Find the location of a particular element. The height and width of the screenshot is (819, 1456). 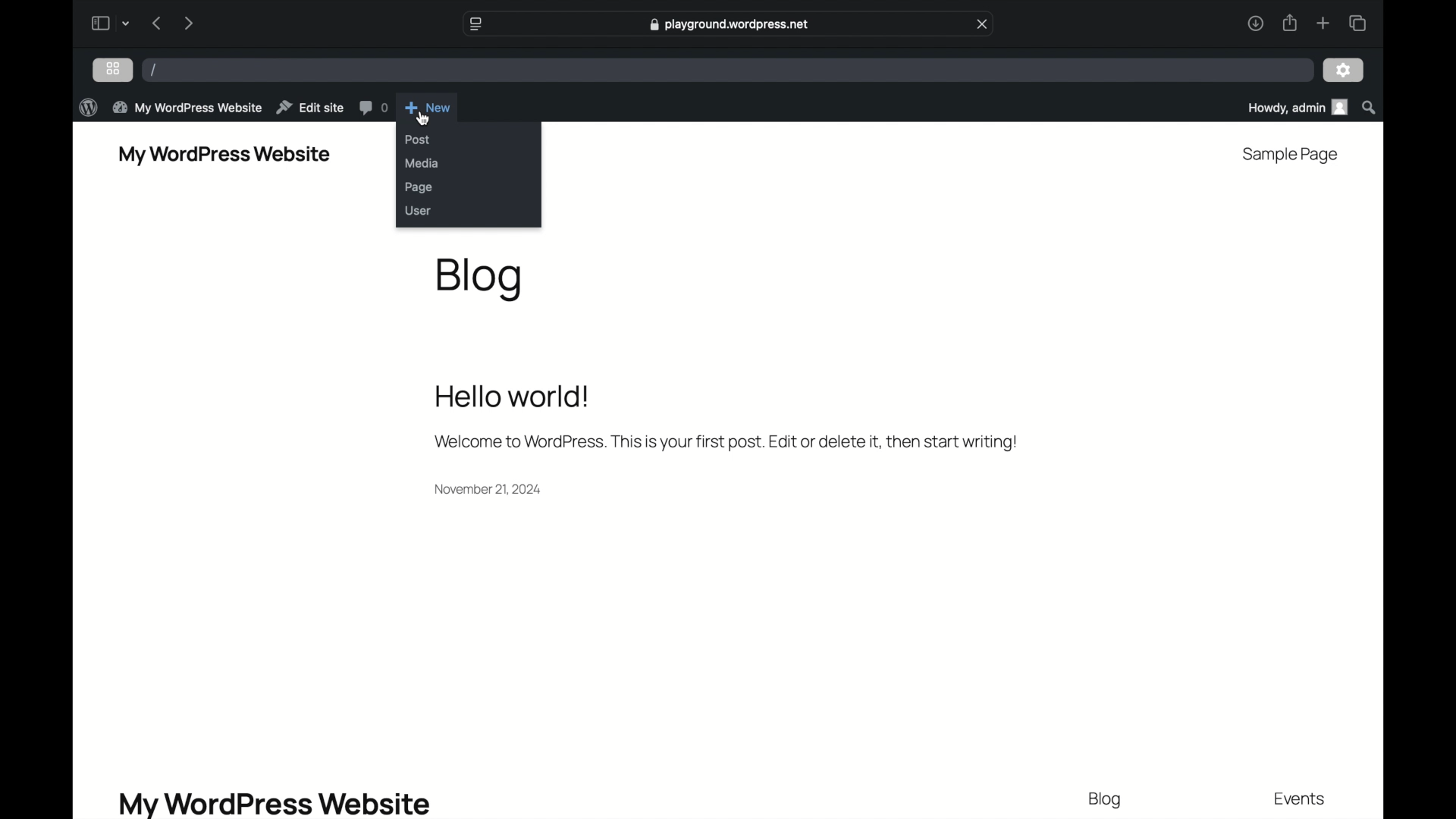

howdy, admin is located at coordinates (1295, 107).